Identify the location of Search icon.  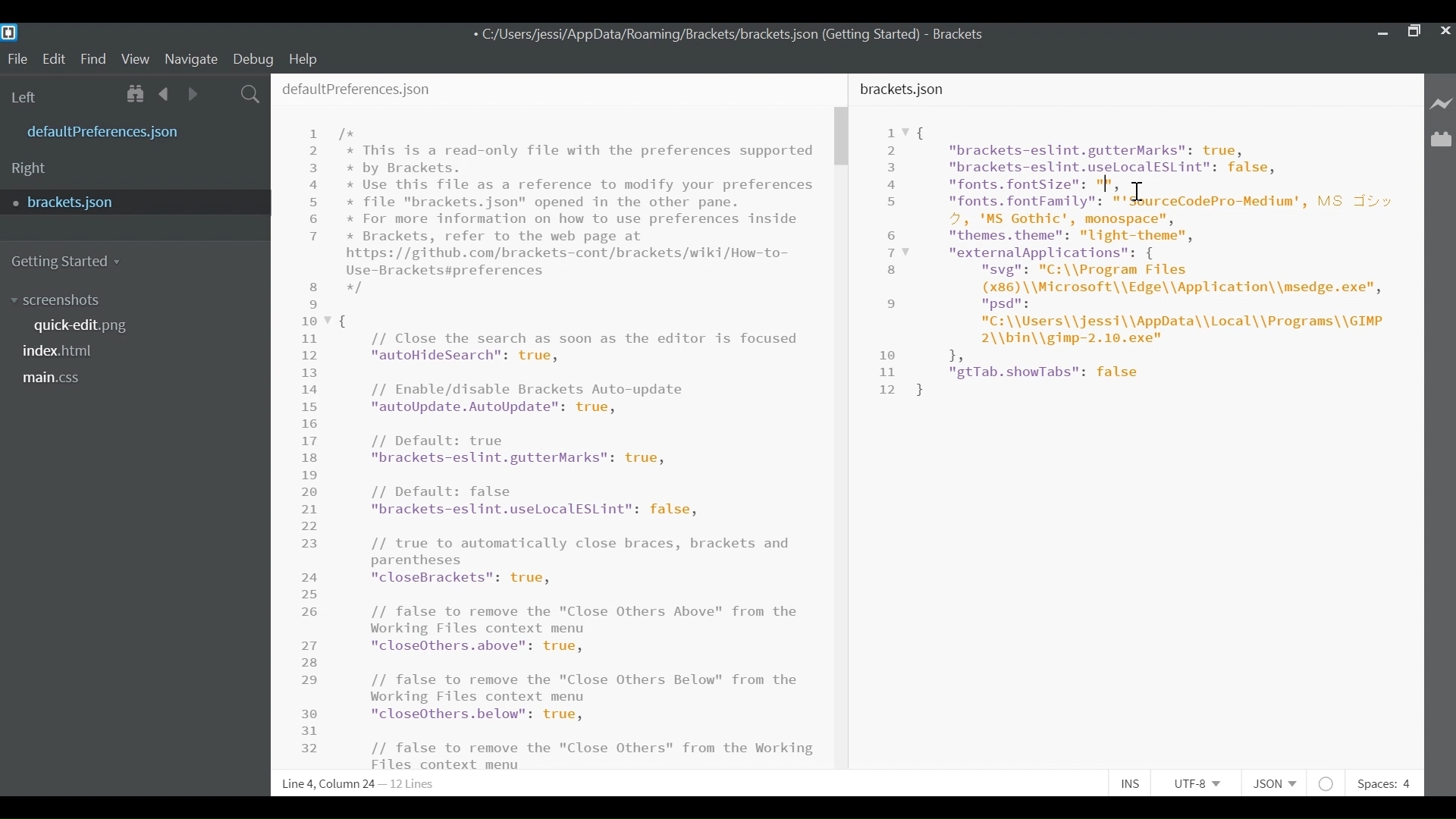
(249, 95).